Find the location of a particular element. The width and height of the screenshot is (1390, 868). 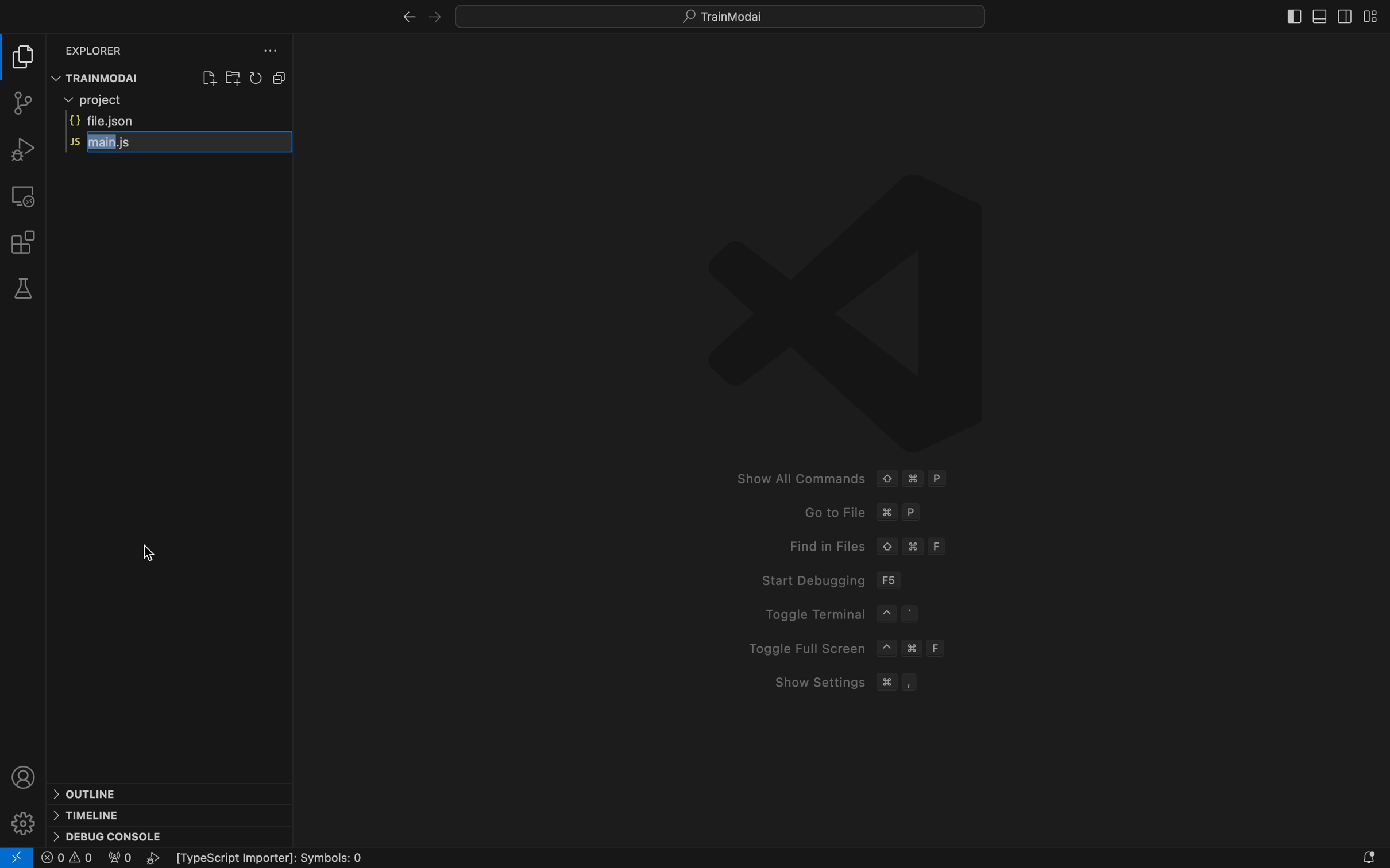

remote explorer  is located at coordinates (25, 196).